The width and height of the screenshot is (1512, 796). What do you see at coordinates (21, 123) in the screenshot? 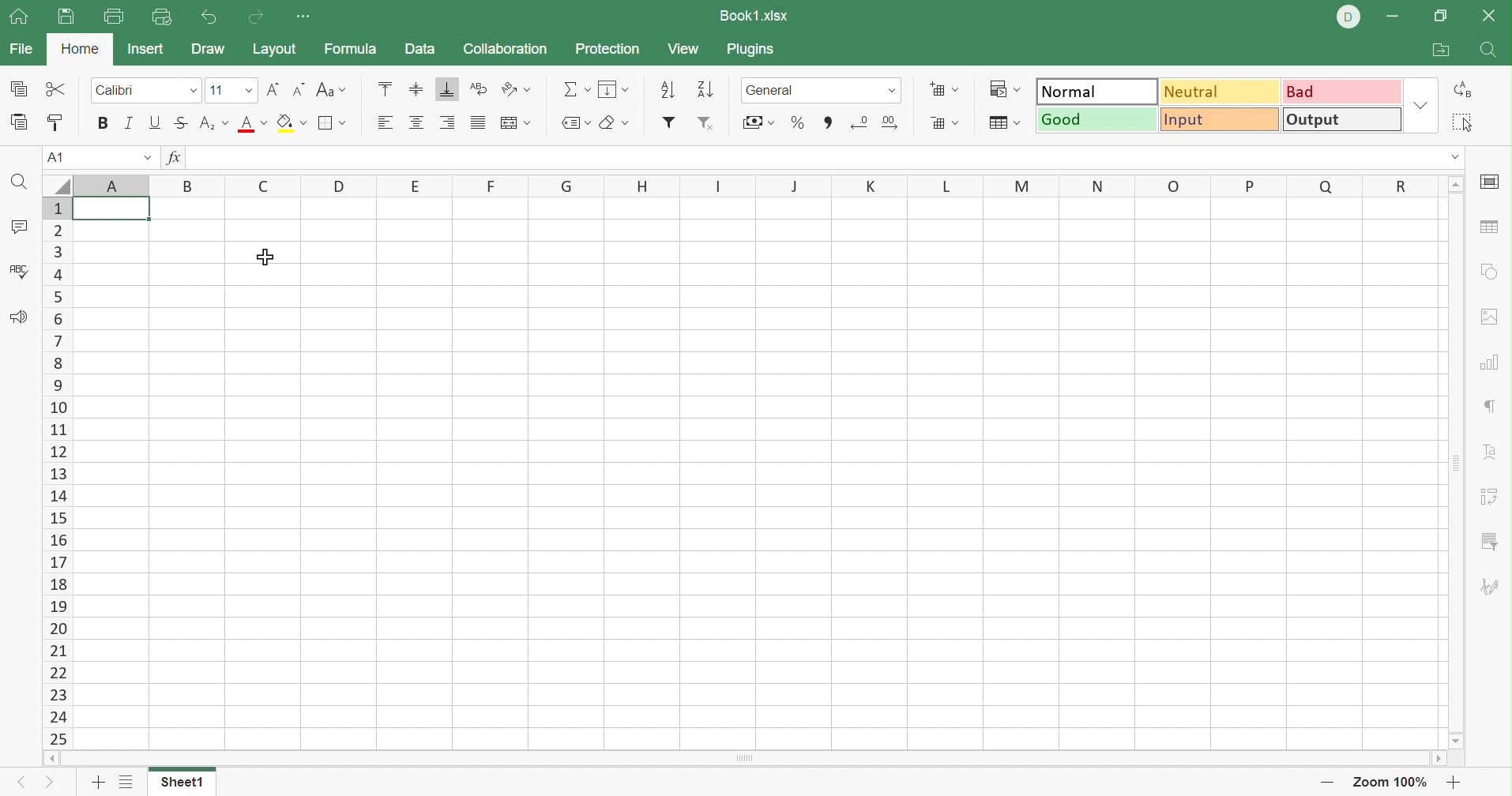
I see `Paste` at bounding box center [21, 123].